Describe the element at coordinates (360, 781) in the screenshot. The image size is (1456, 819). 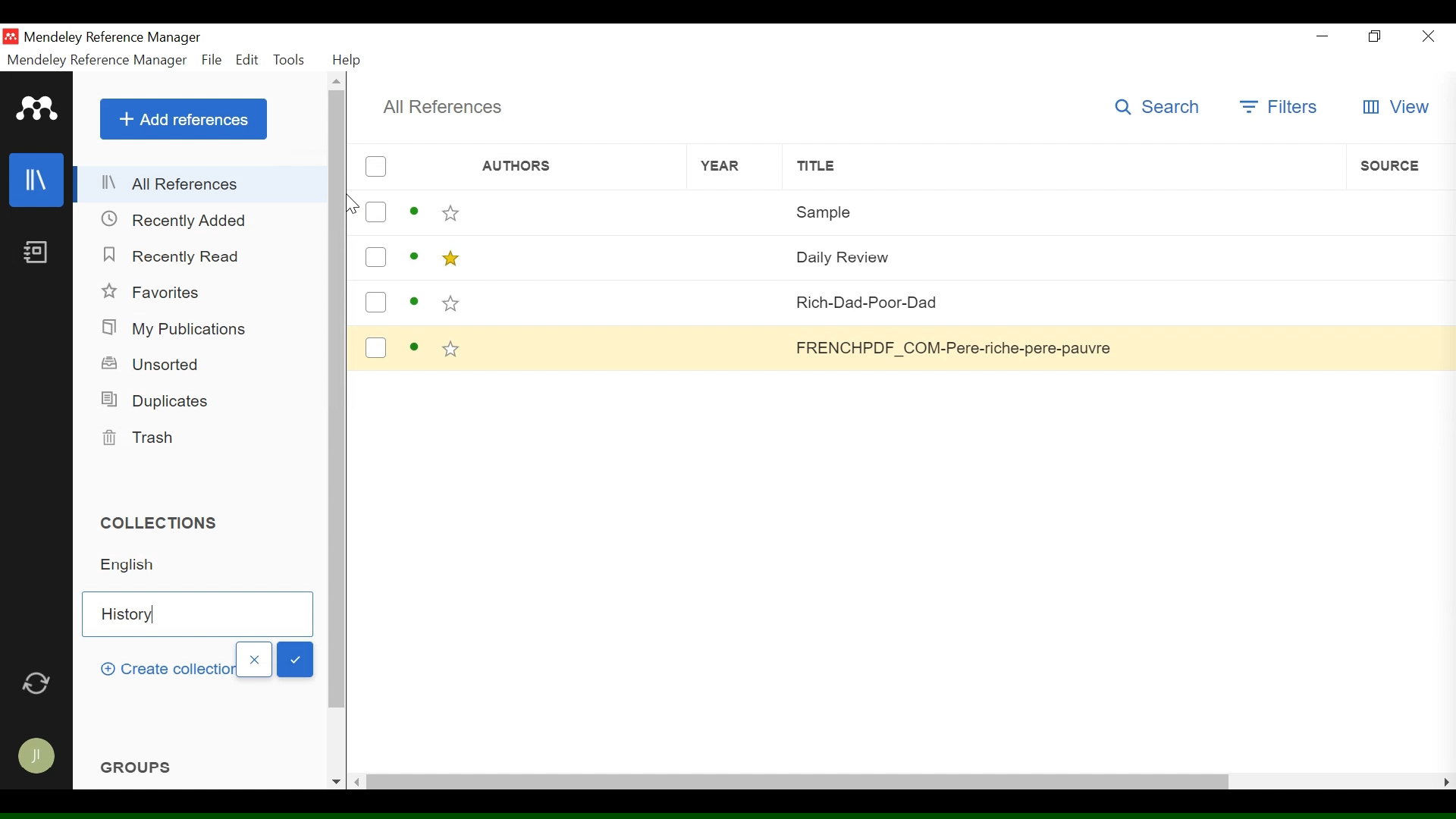
I see `Scroll left` at that location.